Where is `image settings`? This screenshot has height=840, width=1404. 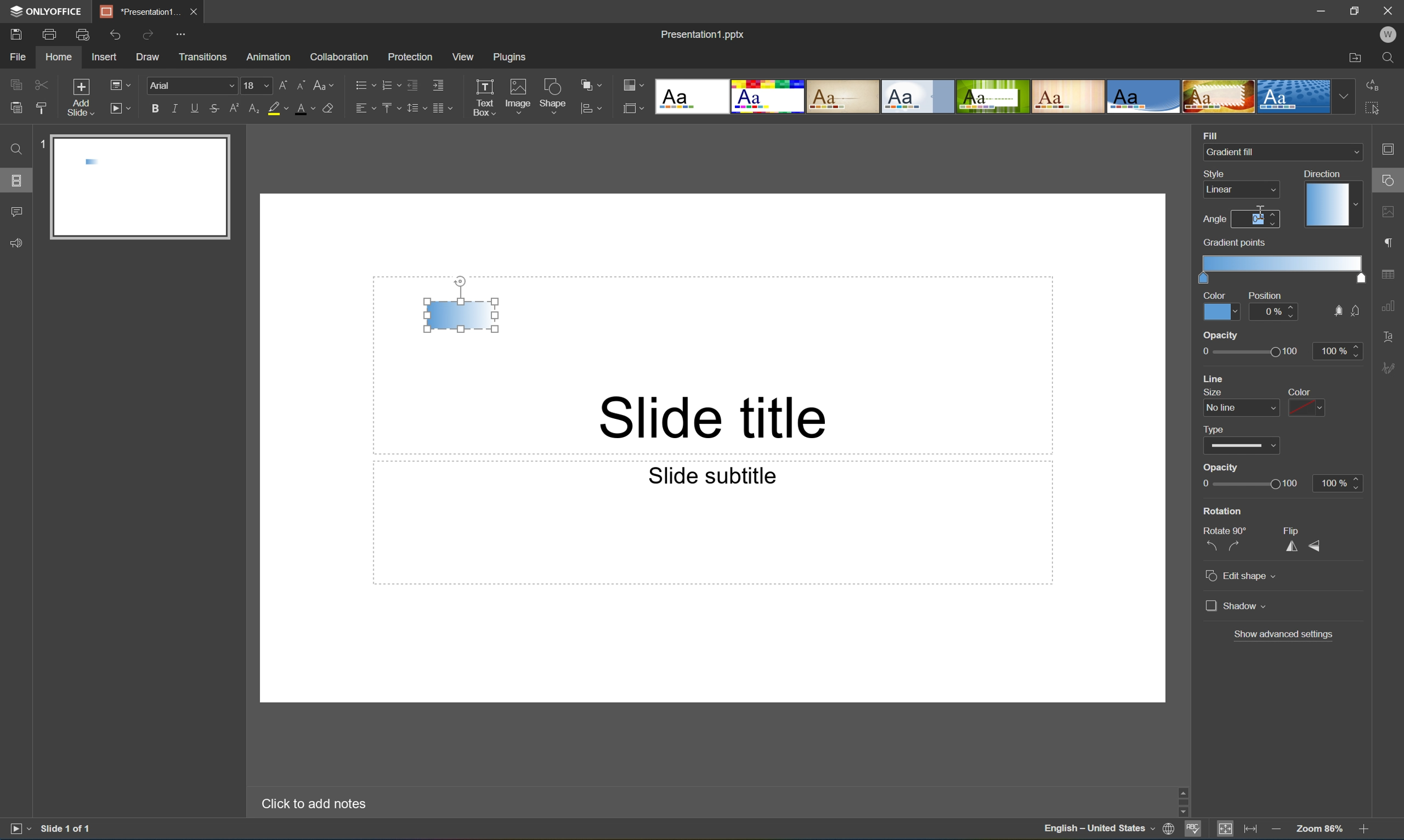 image settings is located at coordinates (1390, 214).